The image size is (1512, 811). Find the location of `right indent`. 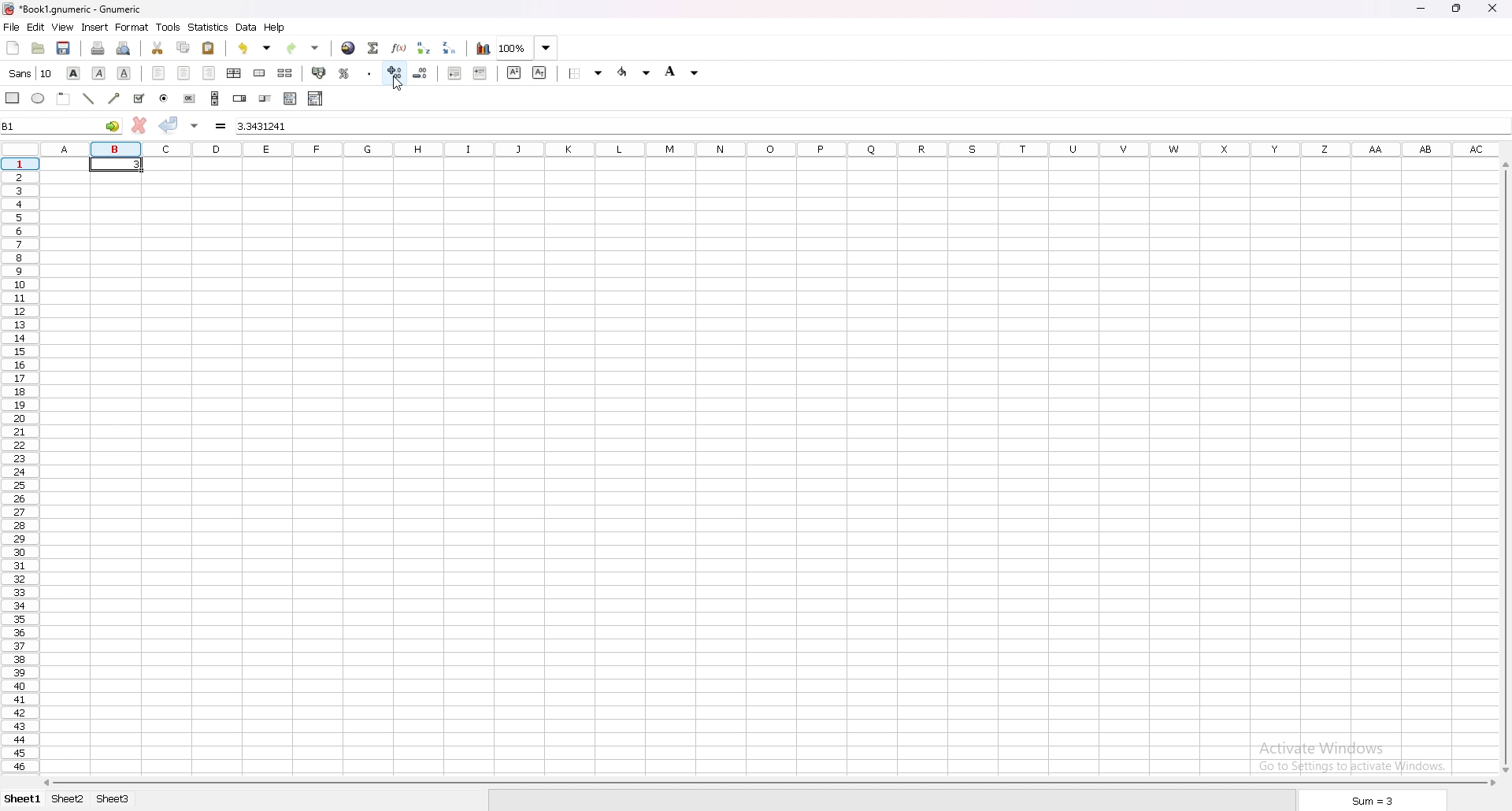

right indent is located at coordinates (209, 72).